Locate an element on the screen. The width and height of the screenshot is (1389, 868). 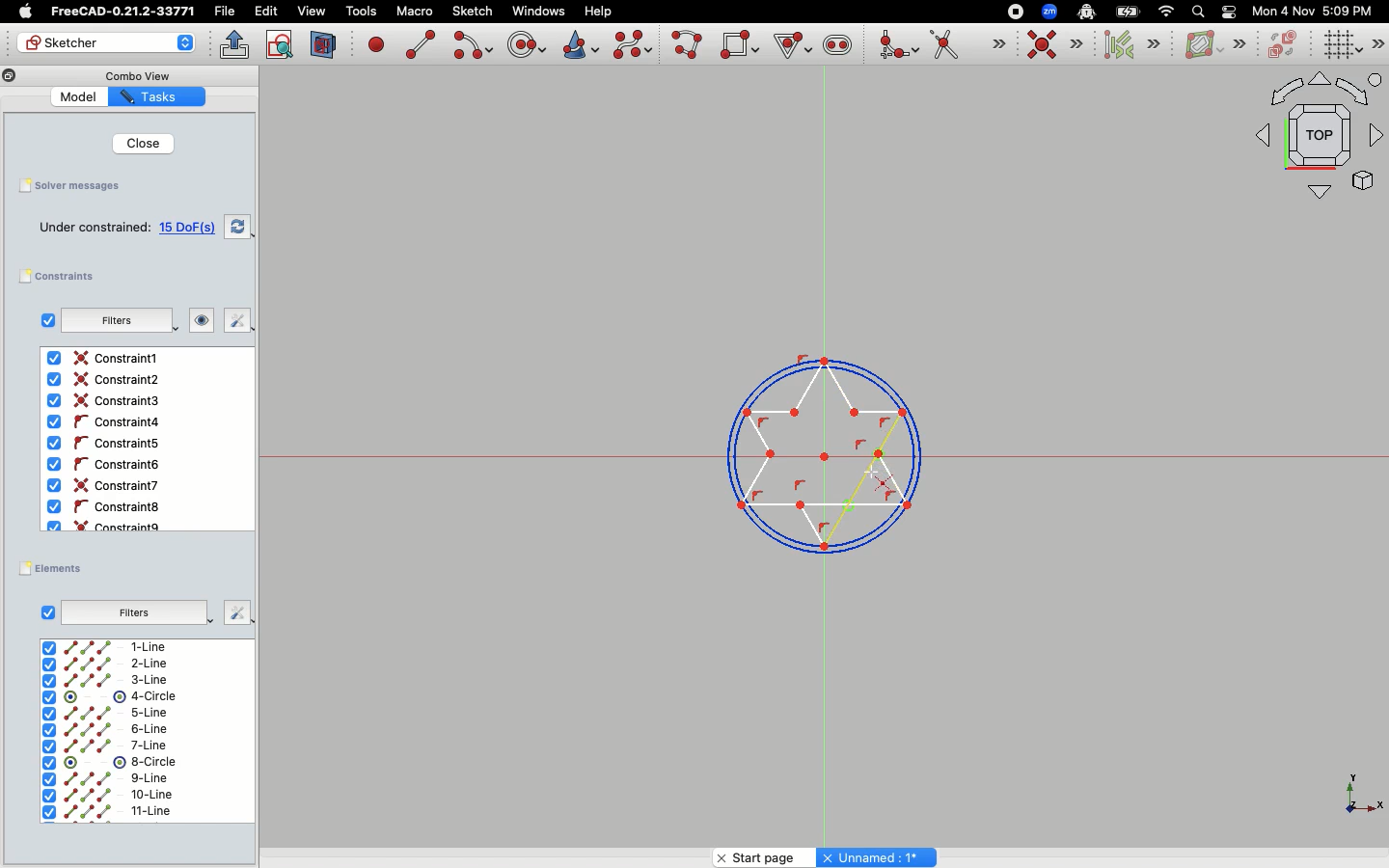
FreeCAD-0.21.2-33771 is located at coordinates (123, 12).